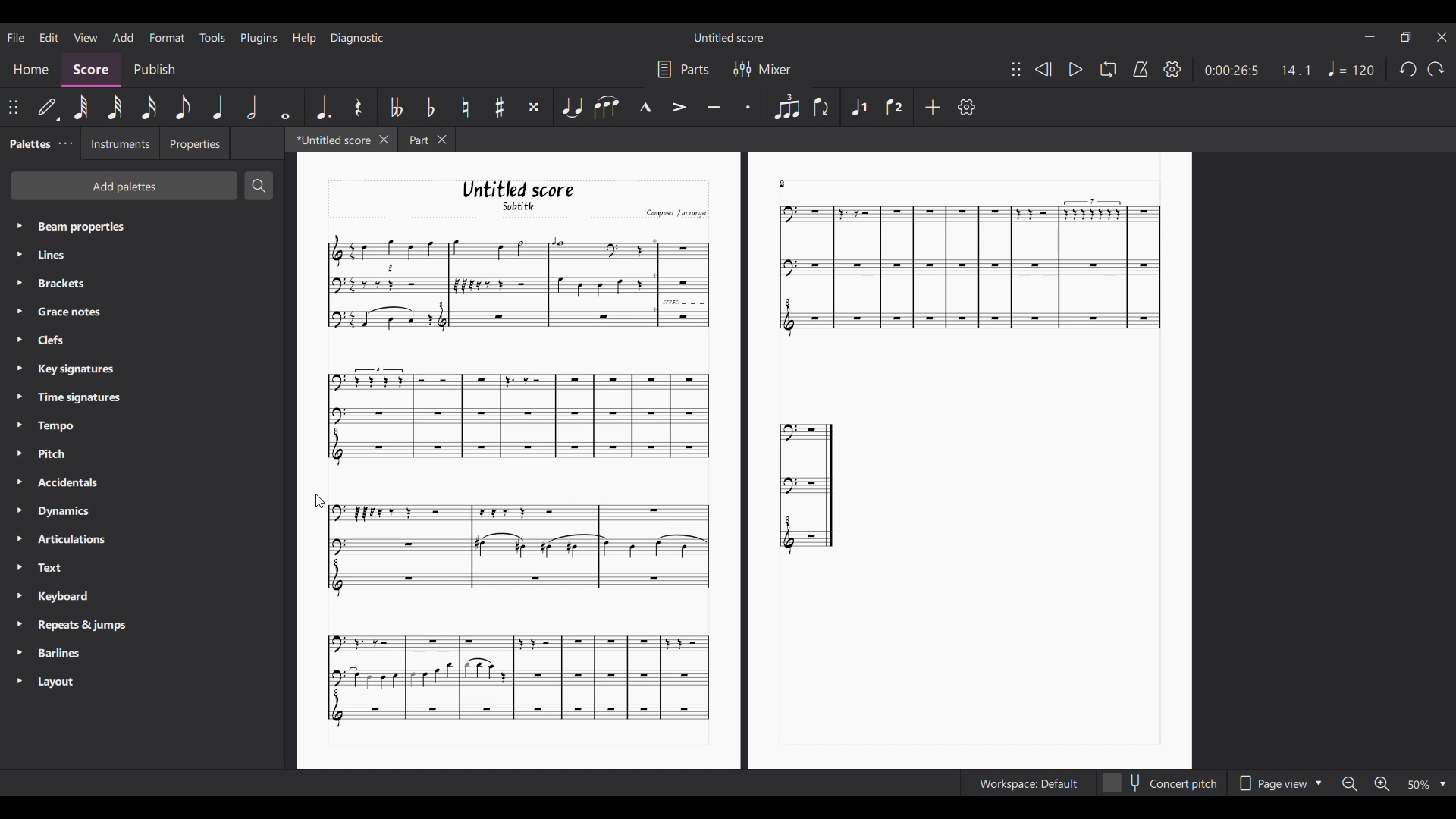 This screenshot has width=1456, height=819. I want to click on 2, so click(783, 183).